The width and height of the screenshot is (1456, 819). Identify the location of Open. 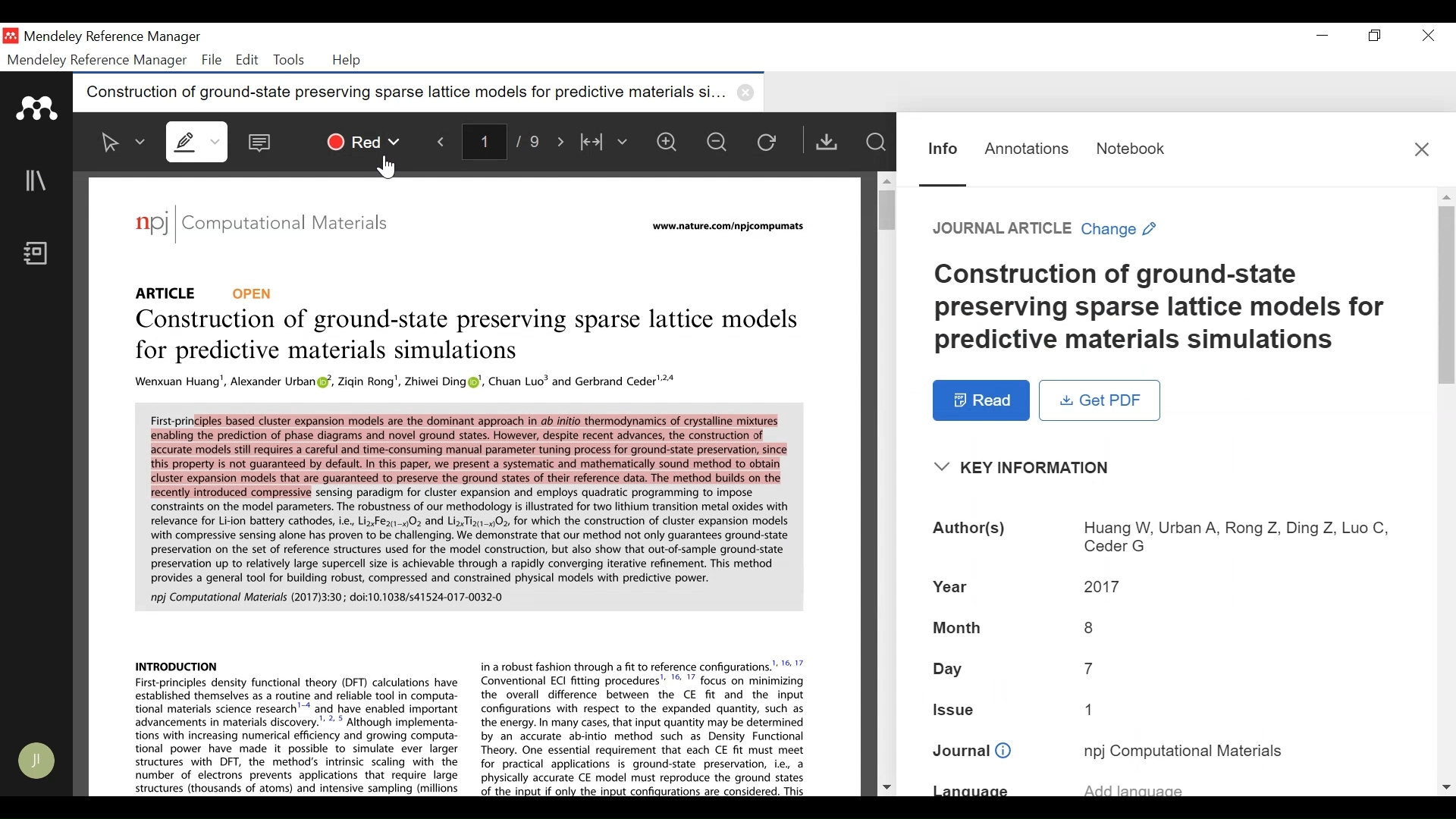
(256, 292).